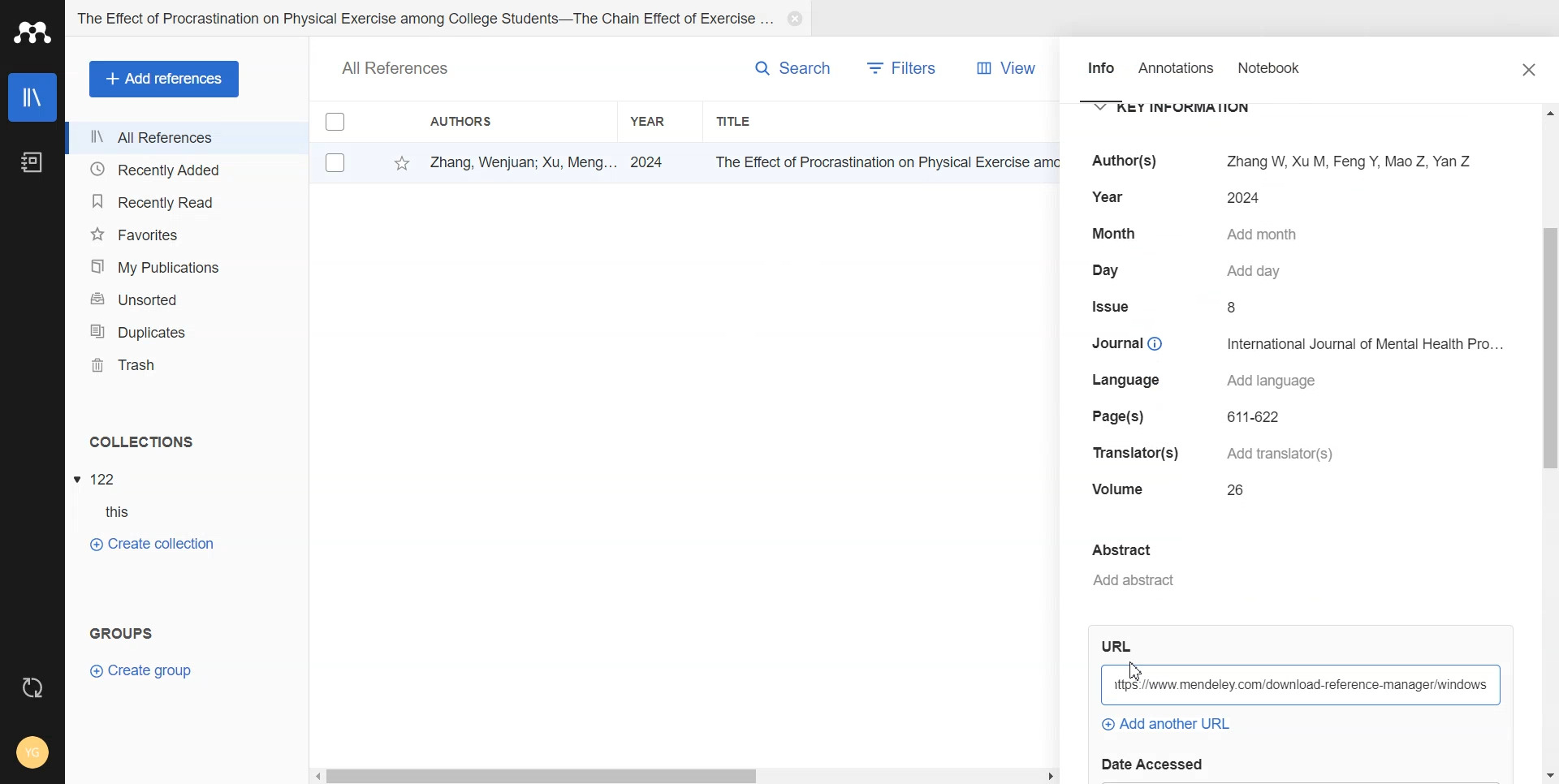  I want to click on date accessed, so click(1160, 763).